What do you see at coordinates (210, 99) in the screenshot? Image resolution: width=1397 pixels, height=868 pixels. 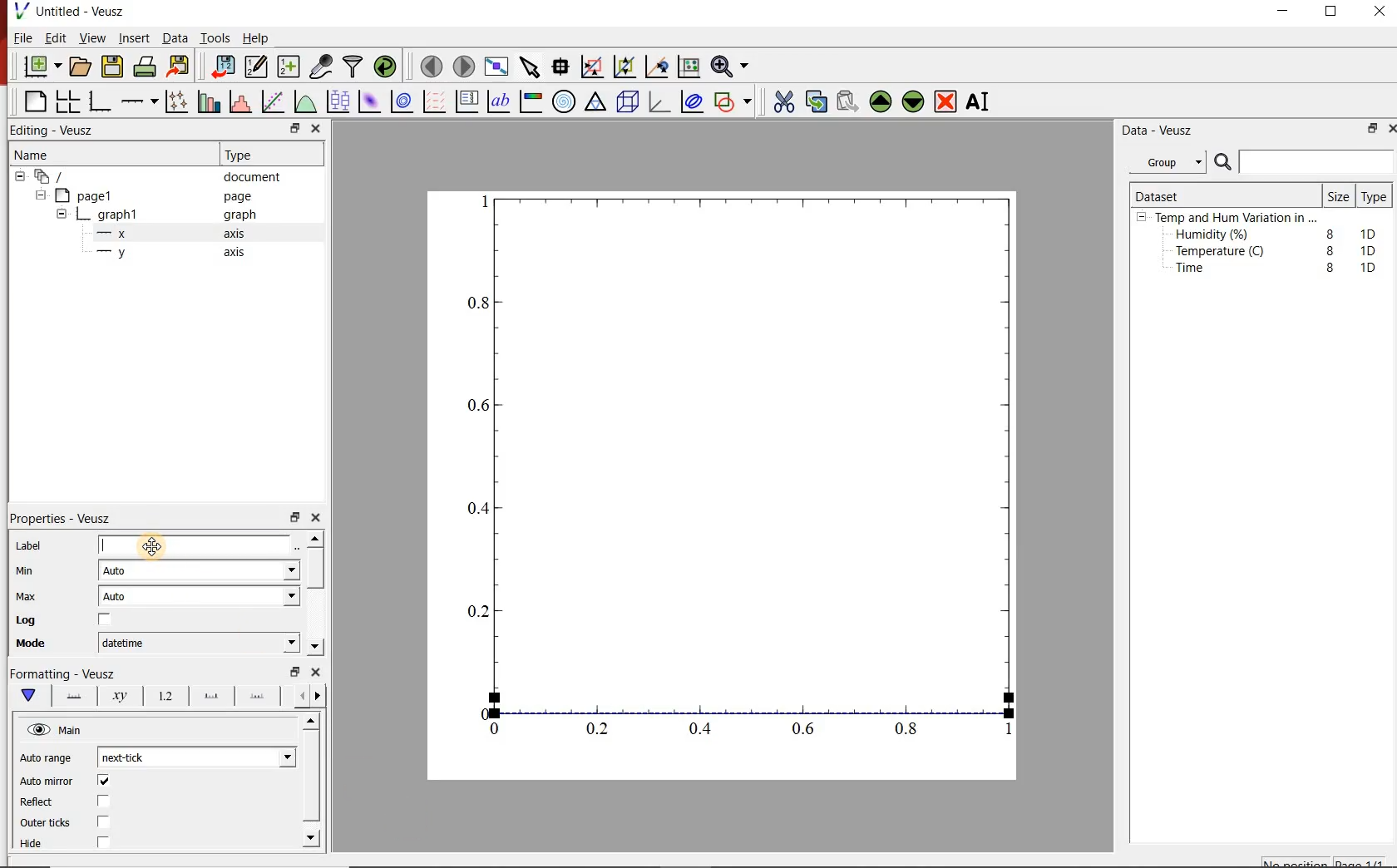 I see `plot bar charts` at bounding box center [210, 99].